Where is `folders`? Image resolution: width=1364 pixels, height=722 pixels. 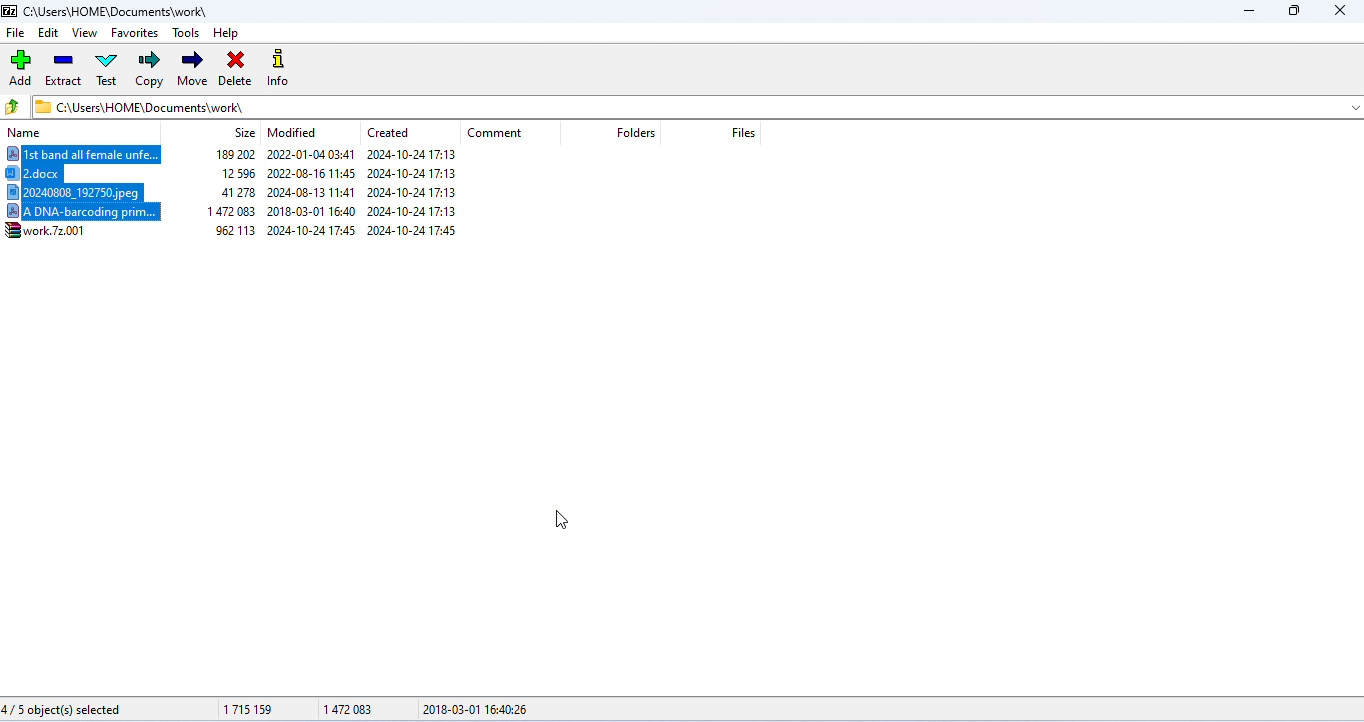 folders is located at coordinates (635, 133).